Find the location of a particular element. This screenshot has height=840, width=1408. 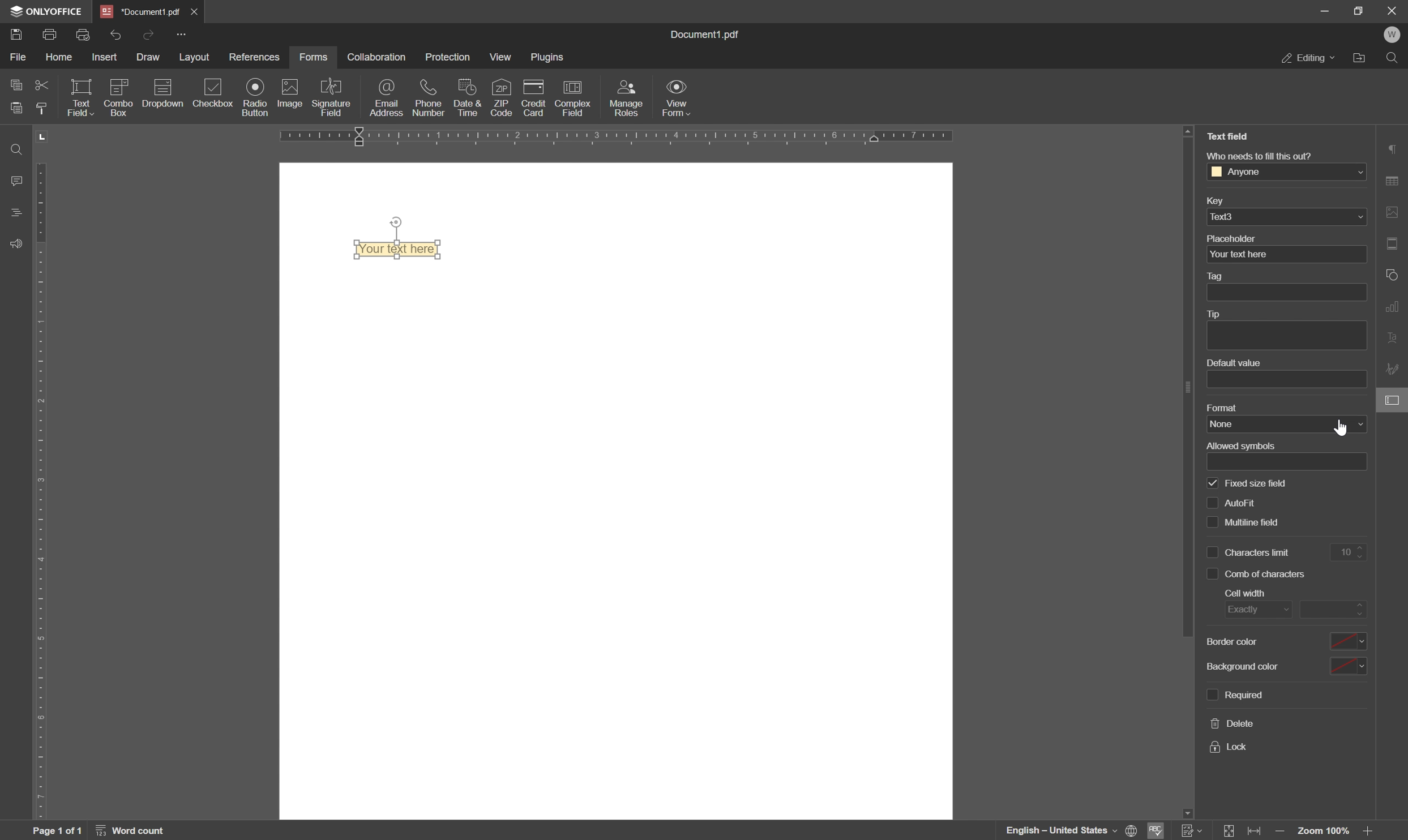

references is located at coordinates (255, 57).